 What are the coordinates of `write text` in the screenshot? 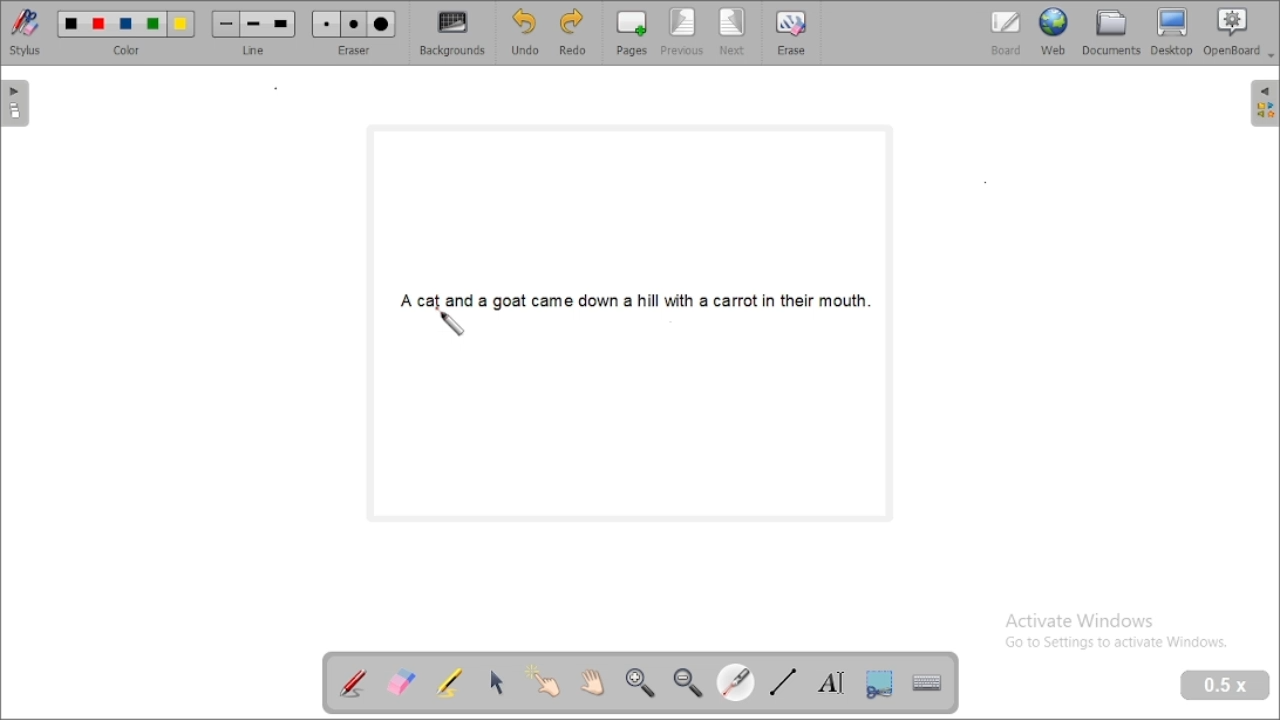 It's located at (830, 682).